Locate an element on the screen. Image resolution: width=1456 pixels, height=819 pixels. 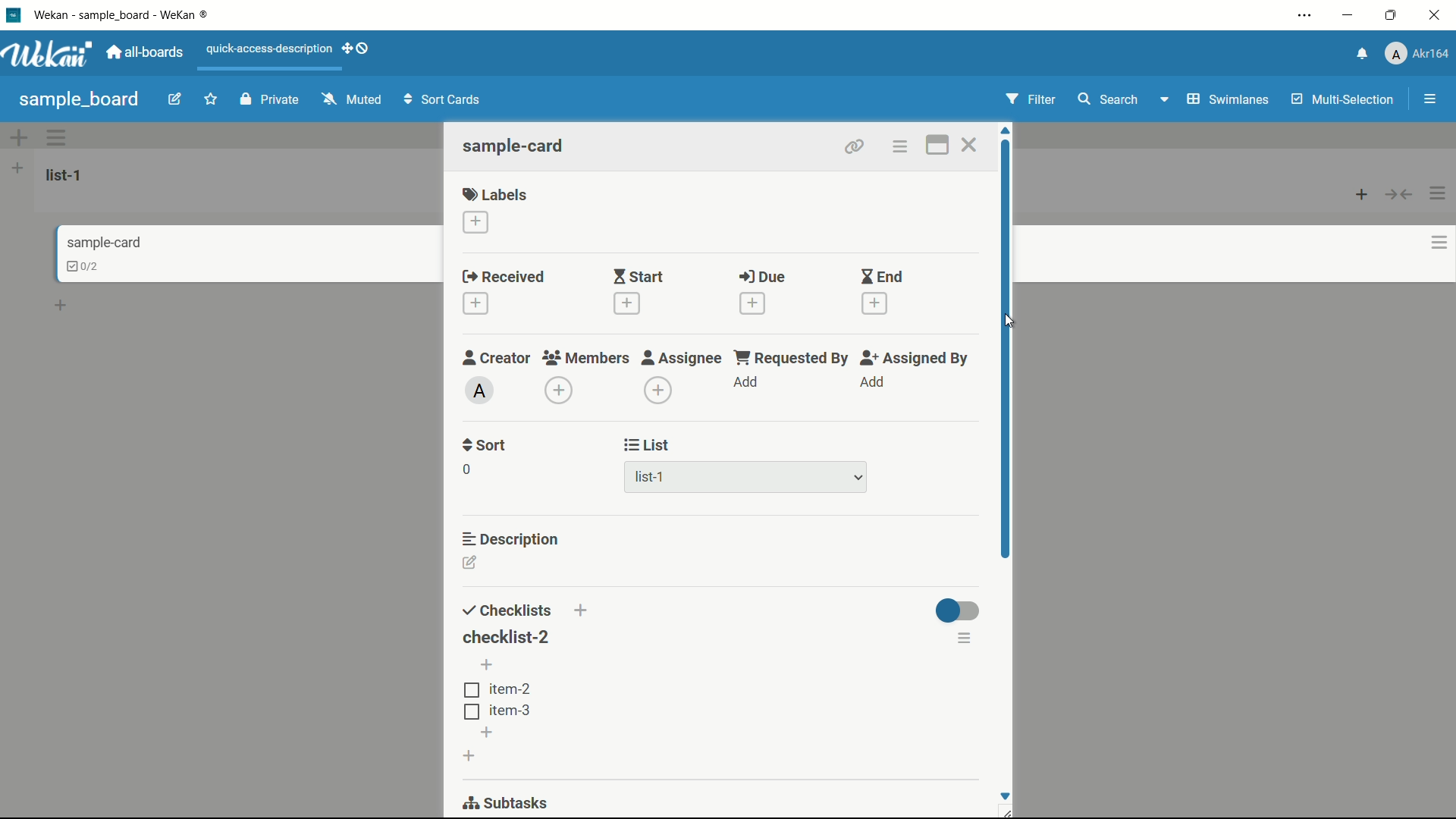
collapse is located at coordinates (1400, 196).